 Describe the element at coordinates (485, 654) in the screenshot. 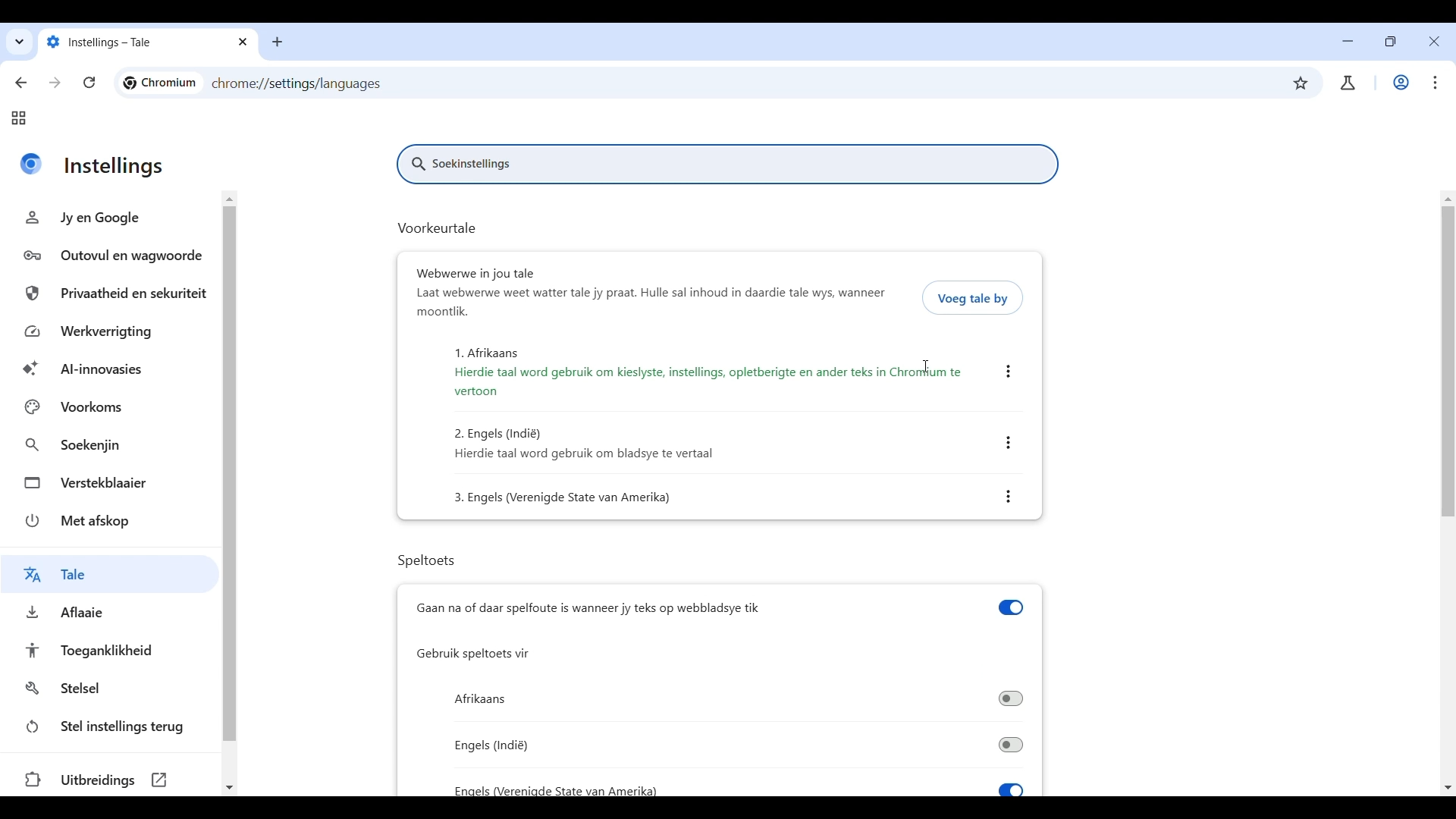

I see `Gebruik speltoets vir` at that location.